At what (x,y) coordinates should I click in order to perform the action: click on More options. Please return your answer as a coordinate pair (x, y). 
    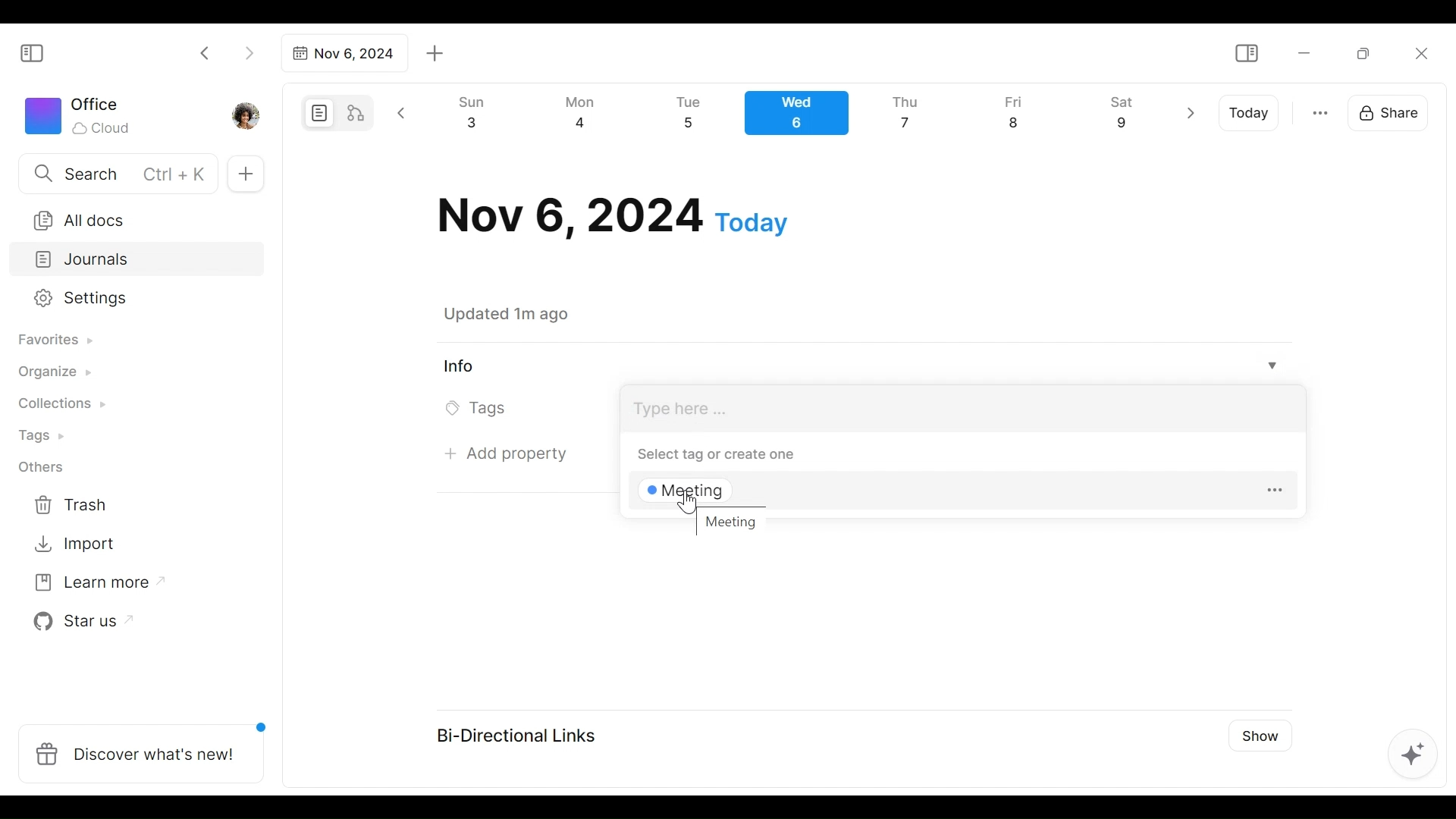
    Looking at the image, I should click on (1276, 492).